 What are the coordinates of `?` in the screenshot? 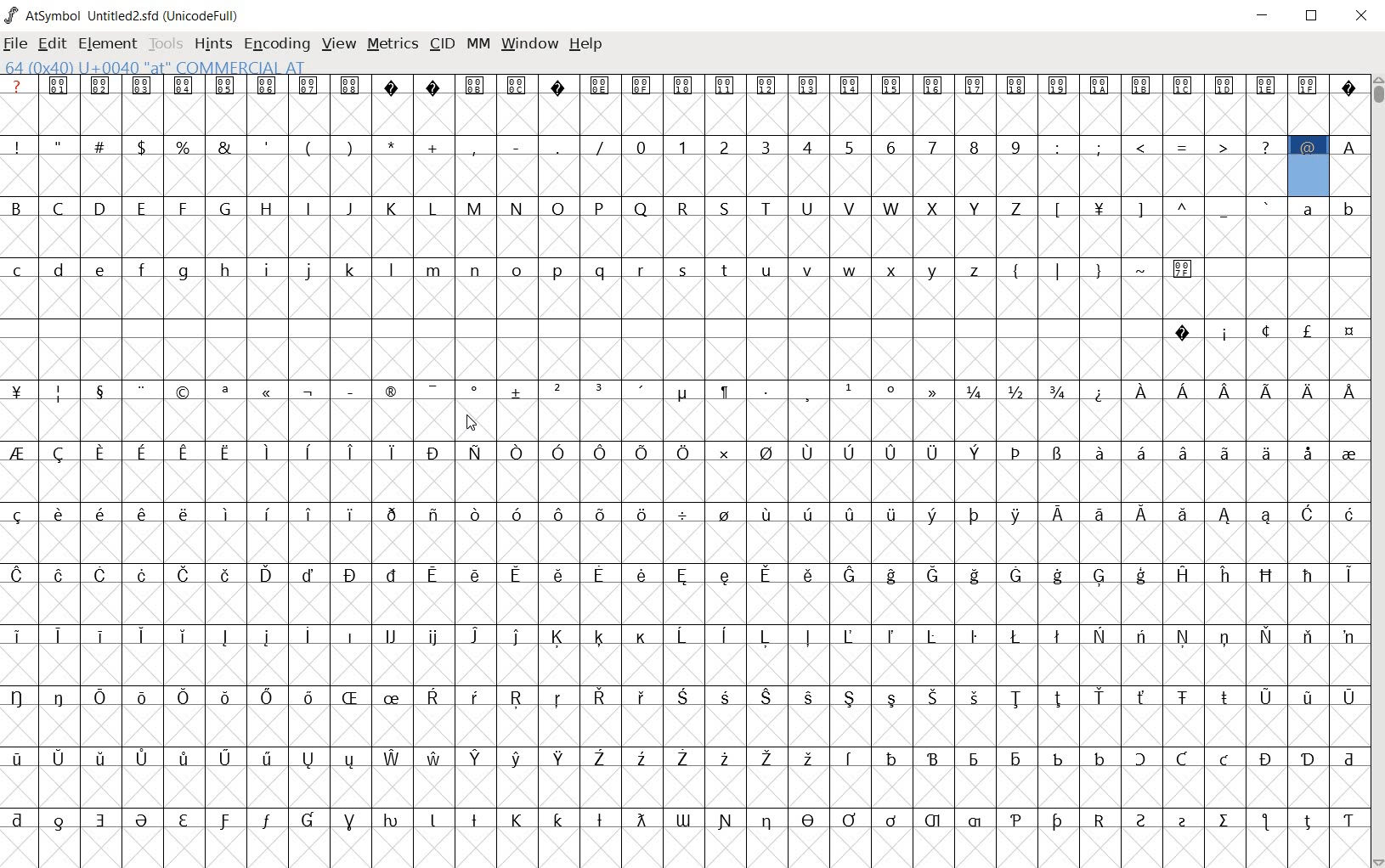 It's located at (17, 86).